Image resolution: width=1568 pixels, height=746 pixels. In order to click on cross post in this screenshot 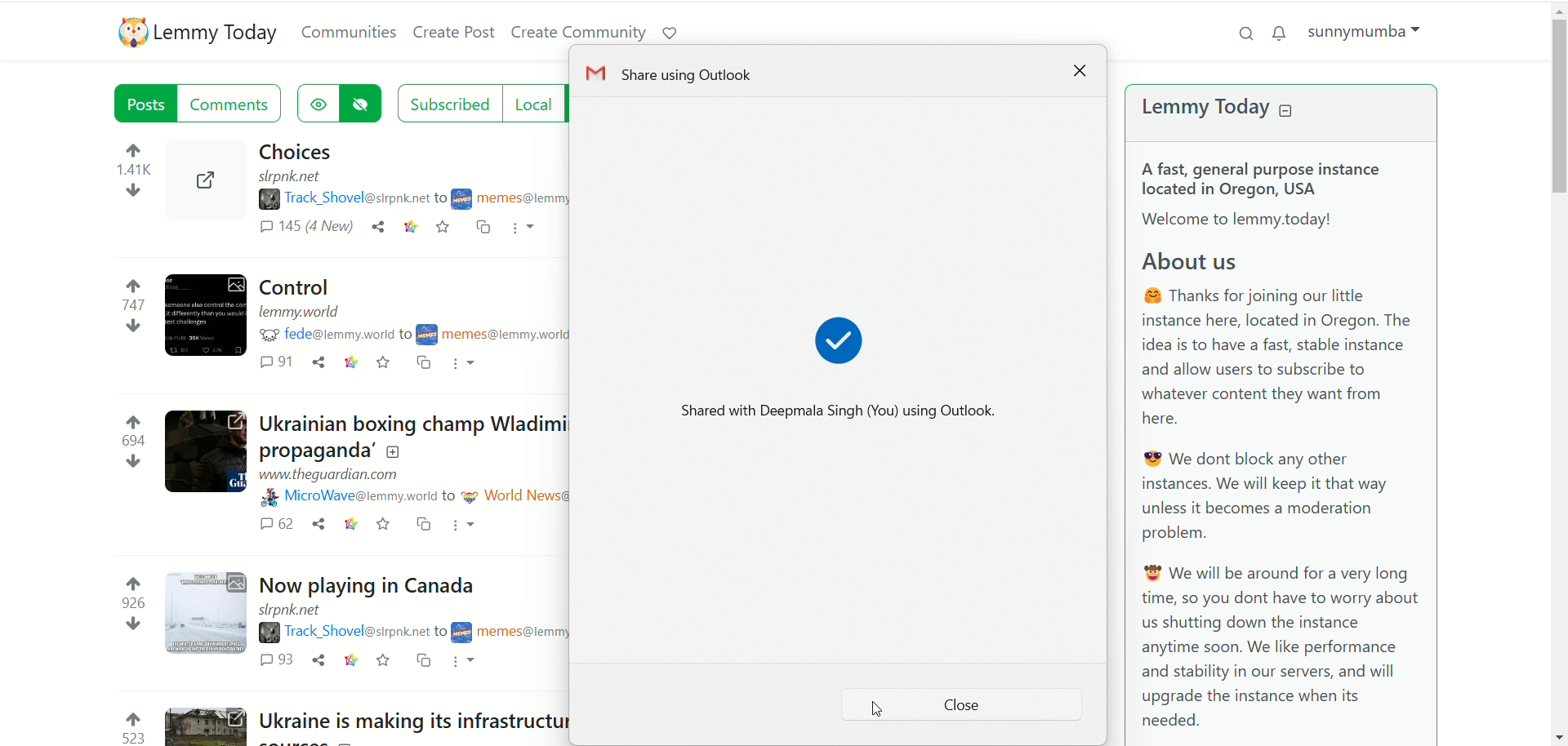, I will do `click(421, 661)`.